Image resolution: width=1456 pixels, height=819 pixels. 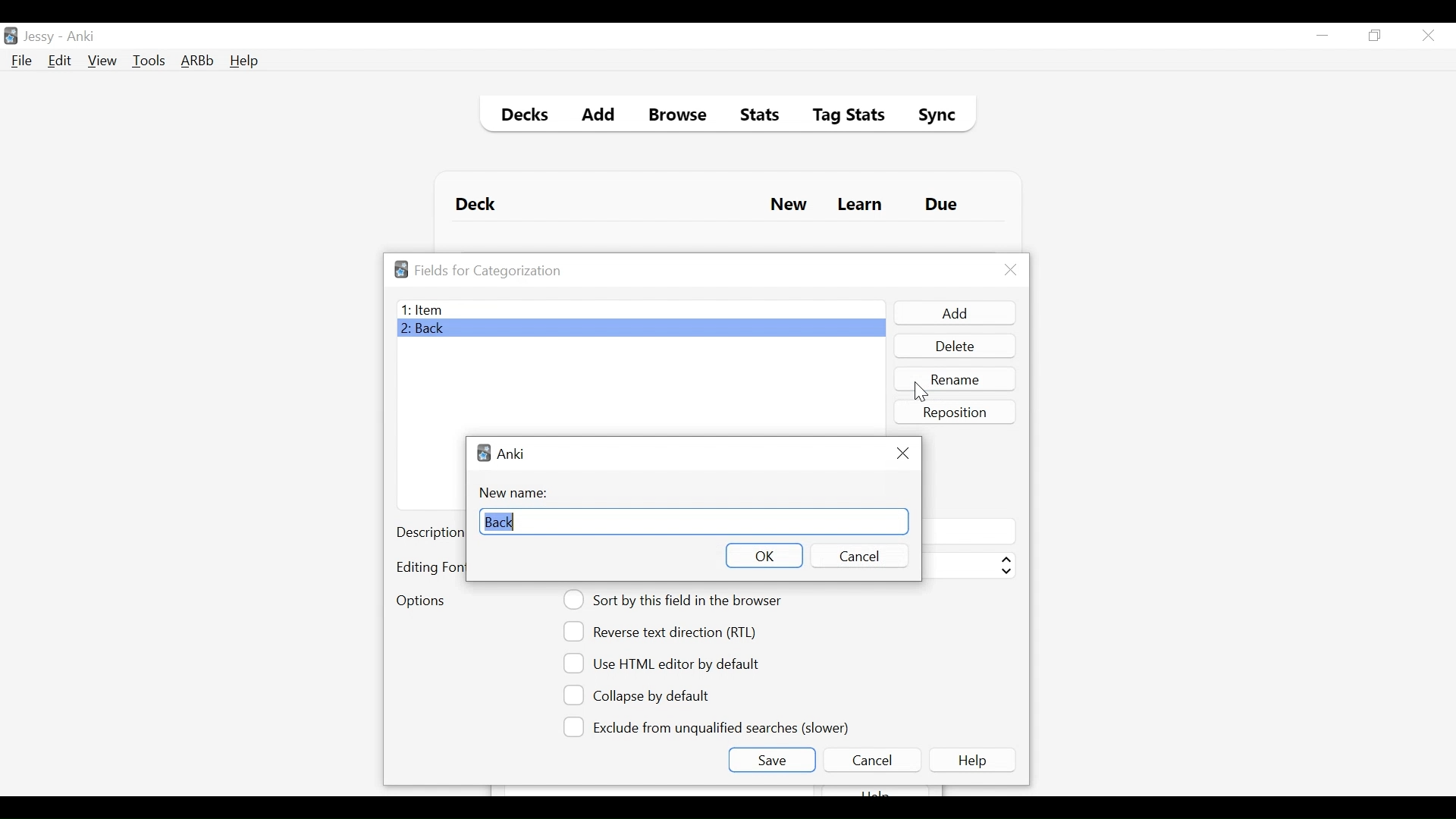 I want to click on Back, so click(x=427, y=330).